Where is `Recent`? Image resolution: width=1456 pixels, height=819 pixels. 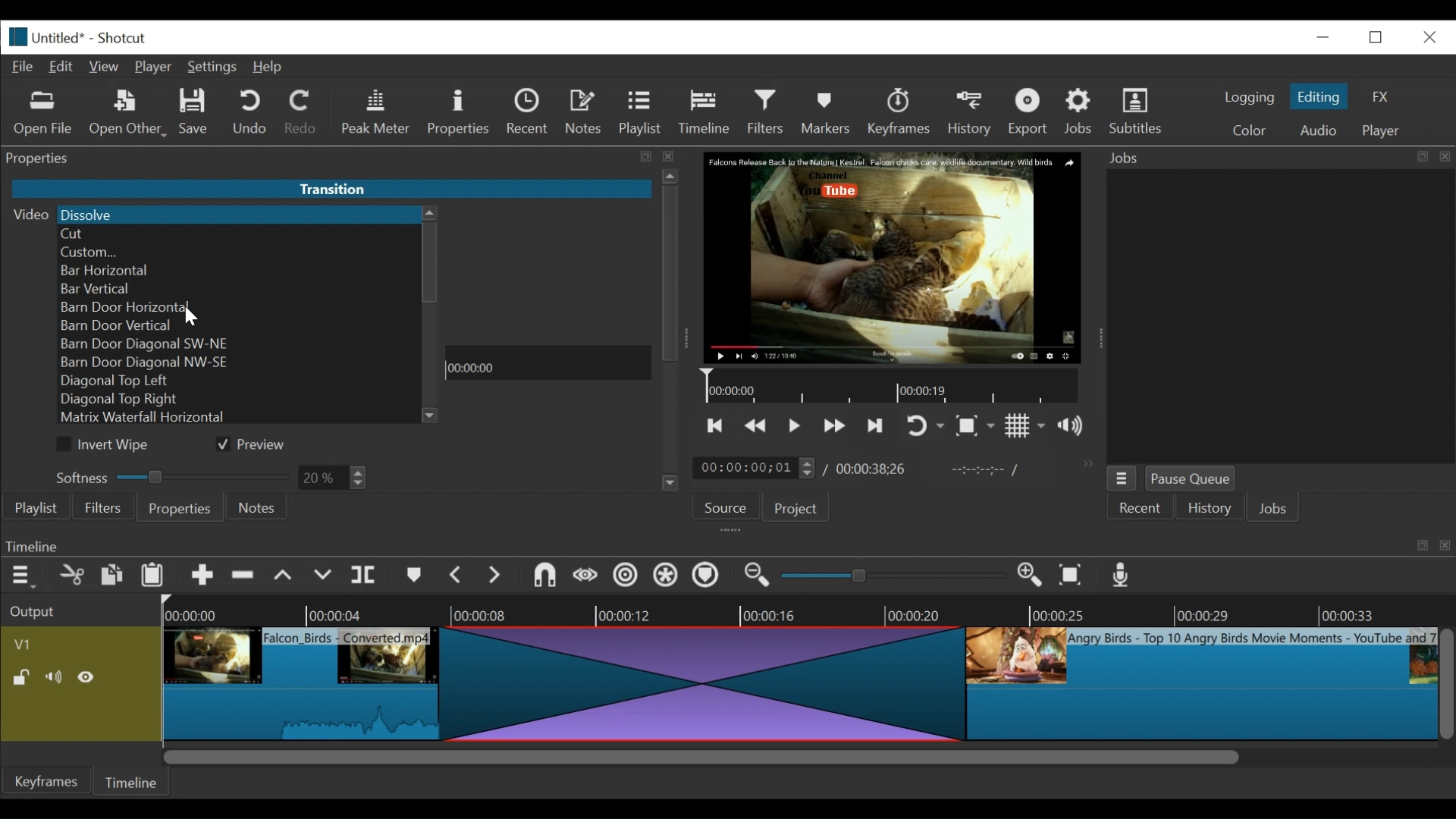 Recent is located at coordinates (1141, 509).